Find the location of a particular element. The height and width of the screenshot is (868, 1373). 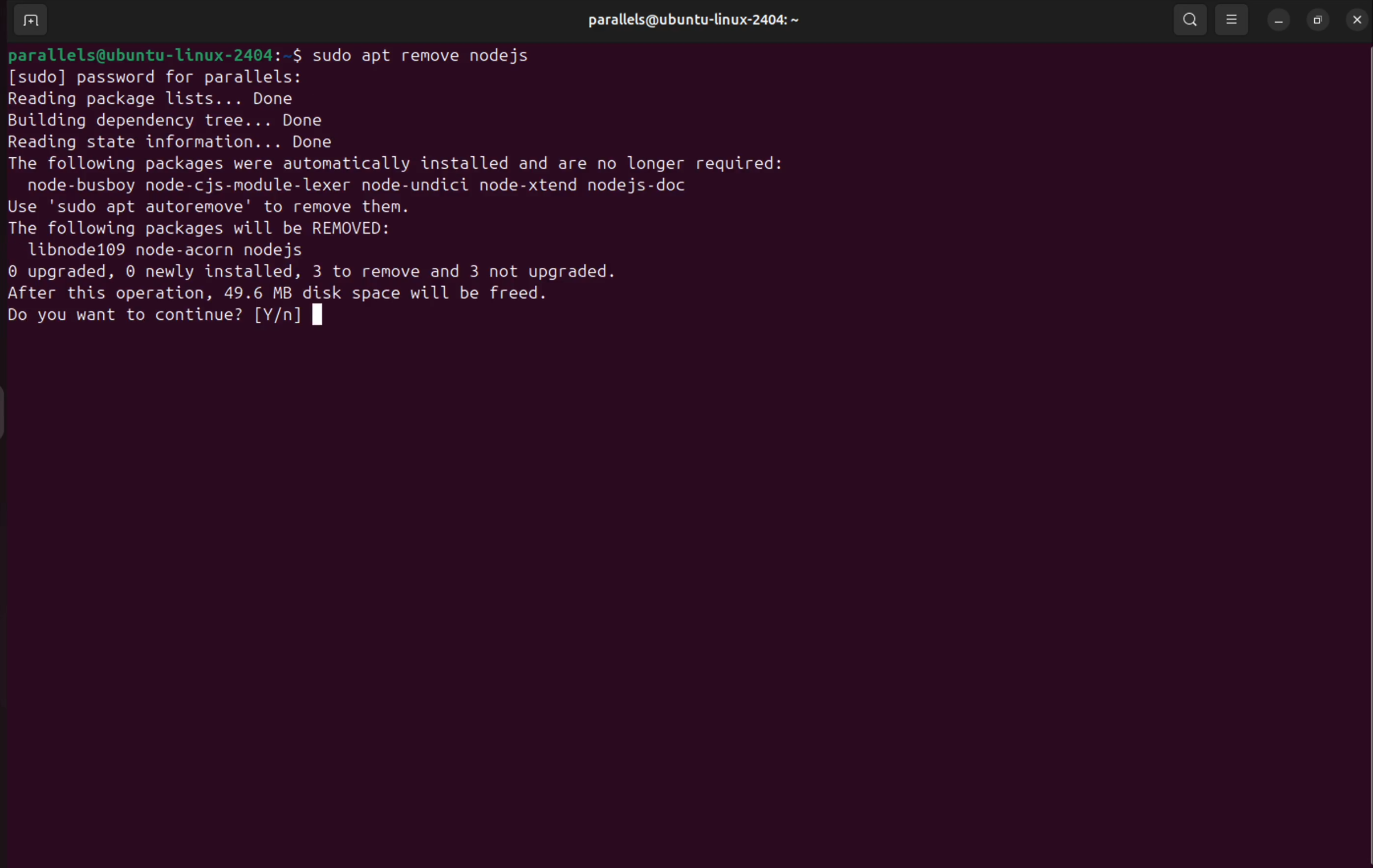

add terminal is located at coordinates (30, 21).